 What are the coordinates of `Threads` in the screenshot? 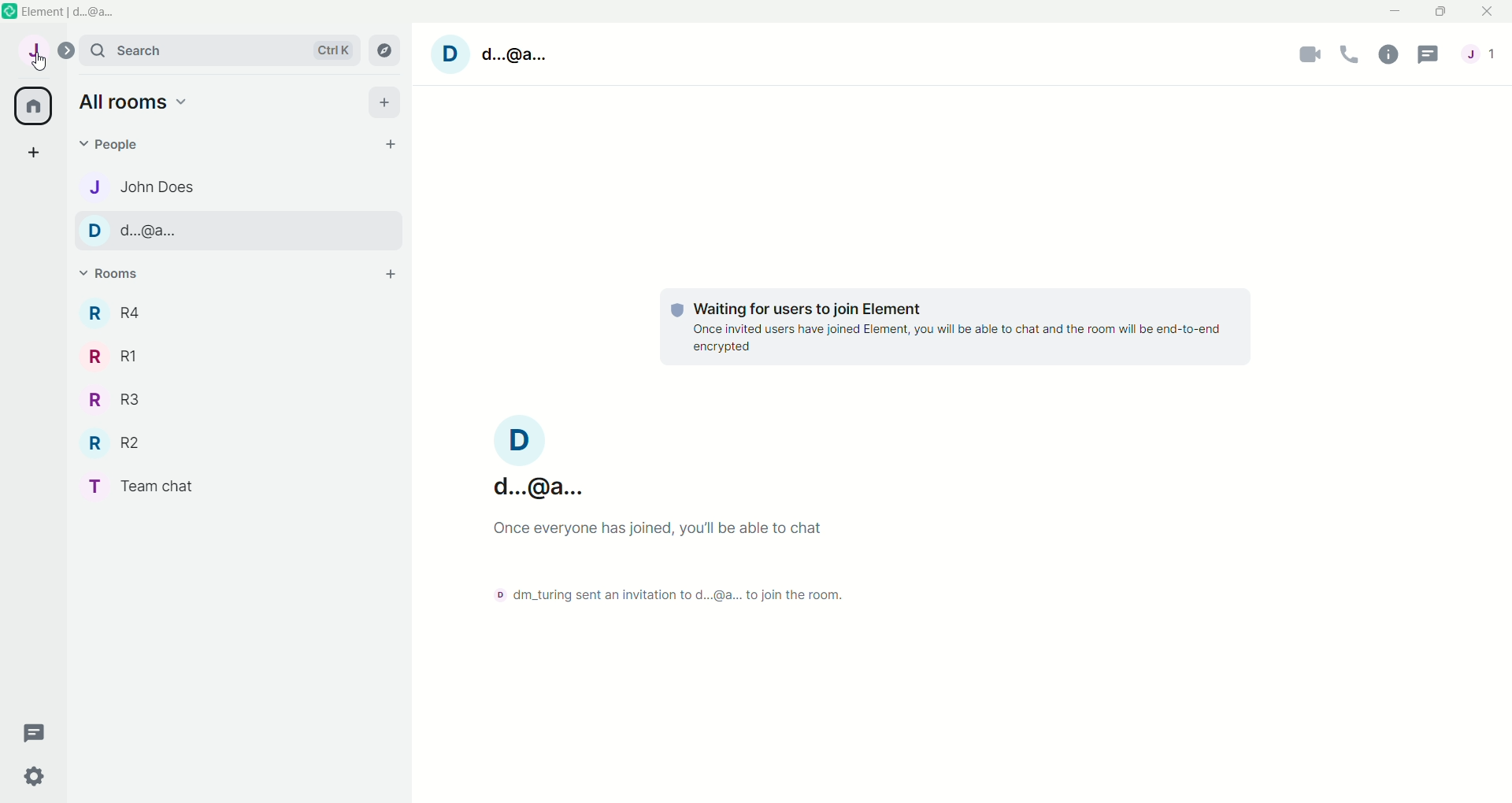 It's located at (1428, 57).